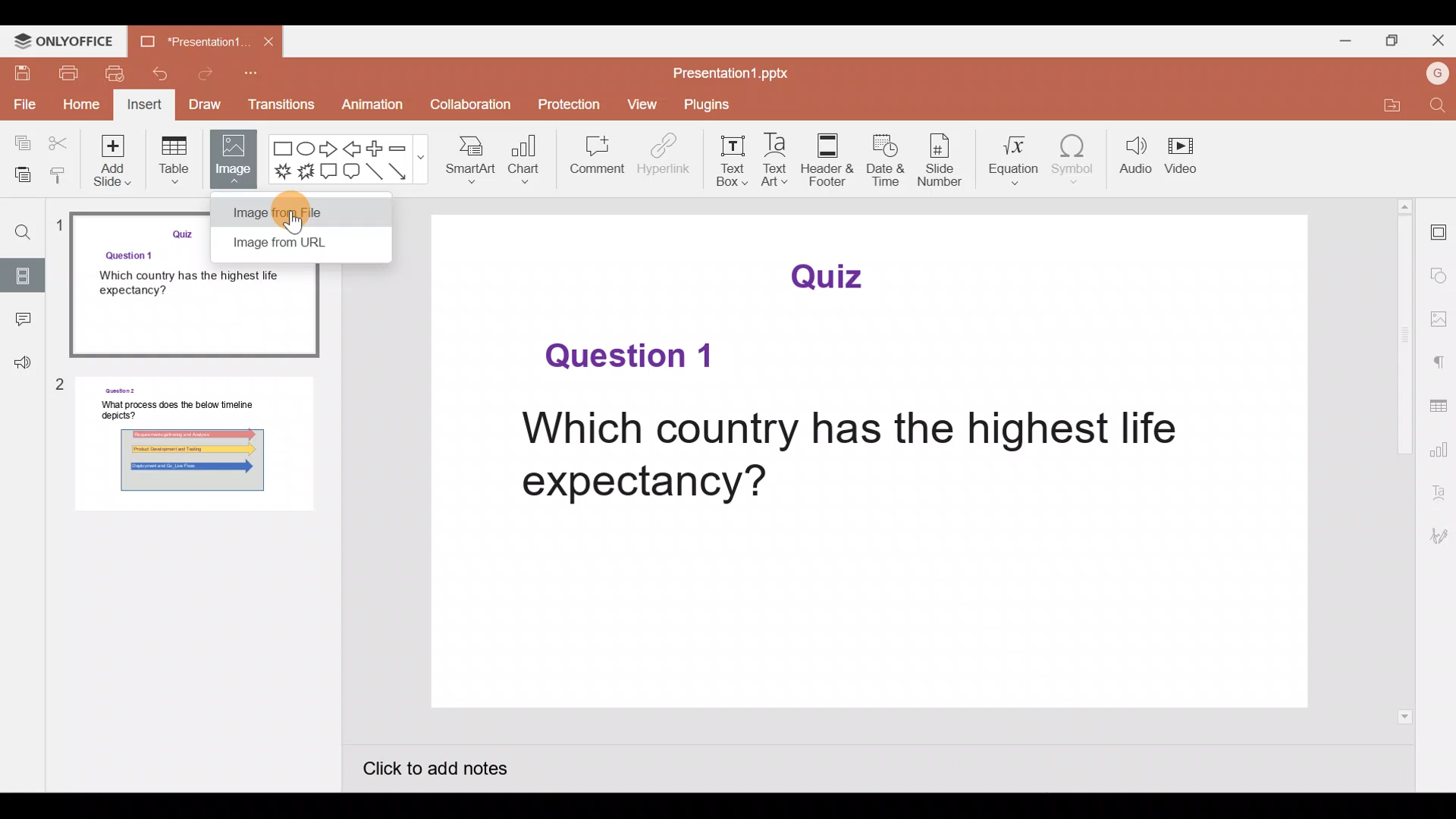 The width and height of the screenshot is (1456, 819). I want to click on Presentation1.pptx, so click(733, 73).